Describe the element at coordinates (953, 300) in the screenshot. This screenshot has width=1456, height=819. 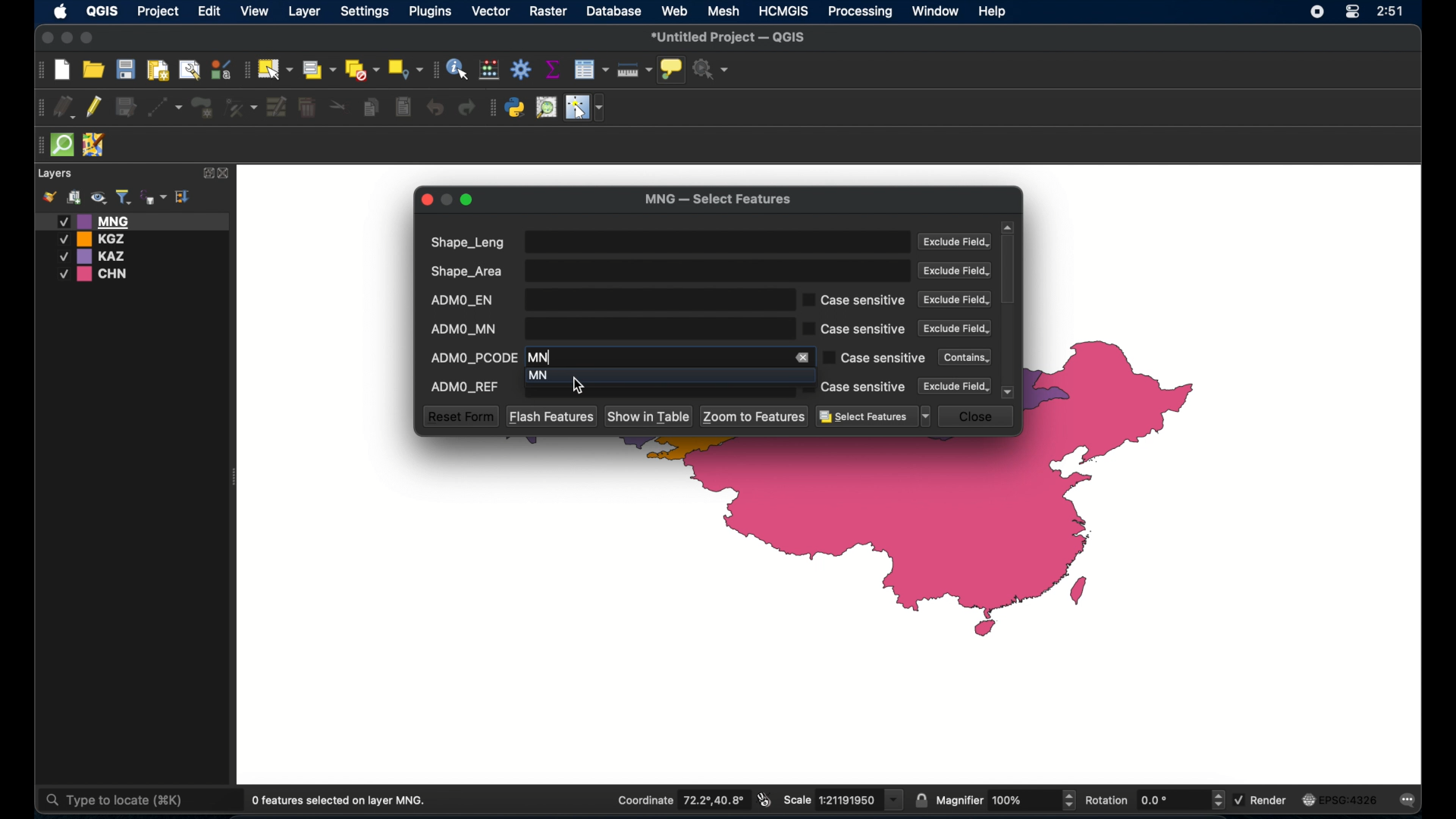
I see `Exclude field` at that location.